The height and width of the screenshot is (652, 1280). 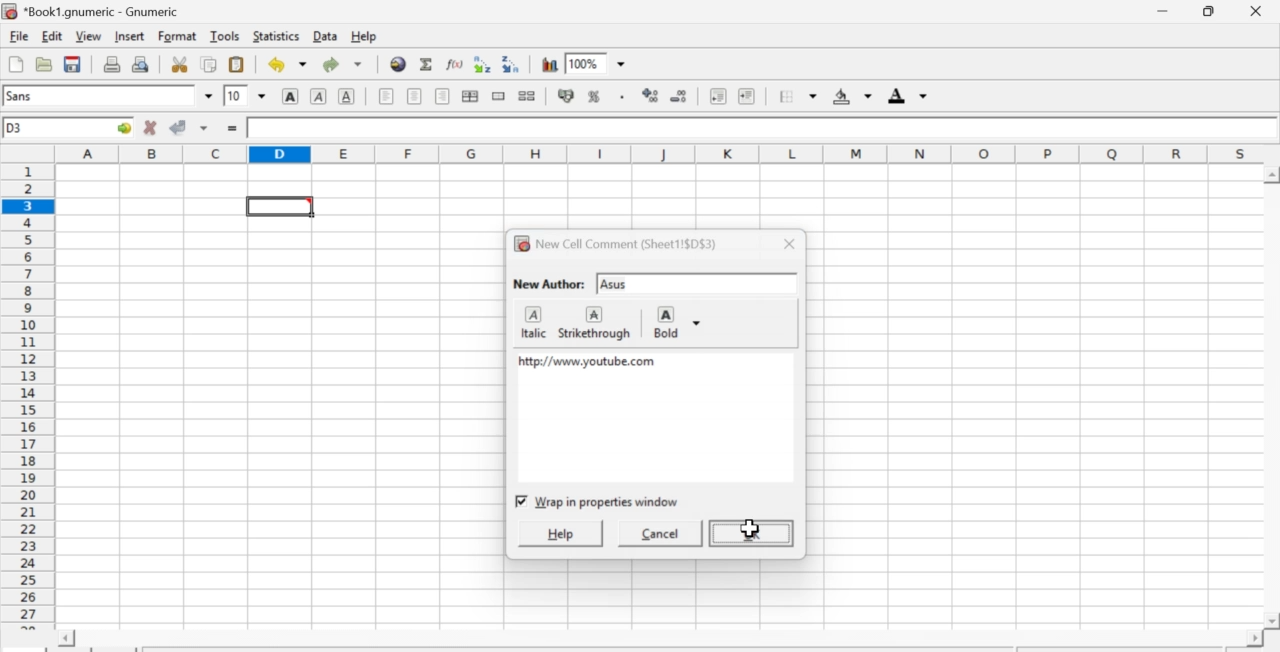 I want to click on Print, so click(x=110, y=64).